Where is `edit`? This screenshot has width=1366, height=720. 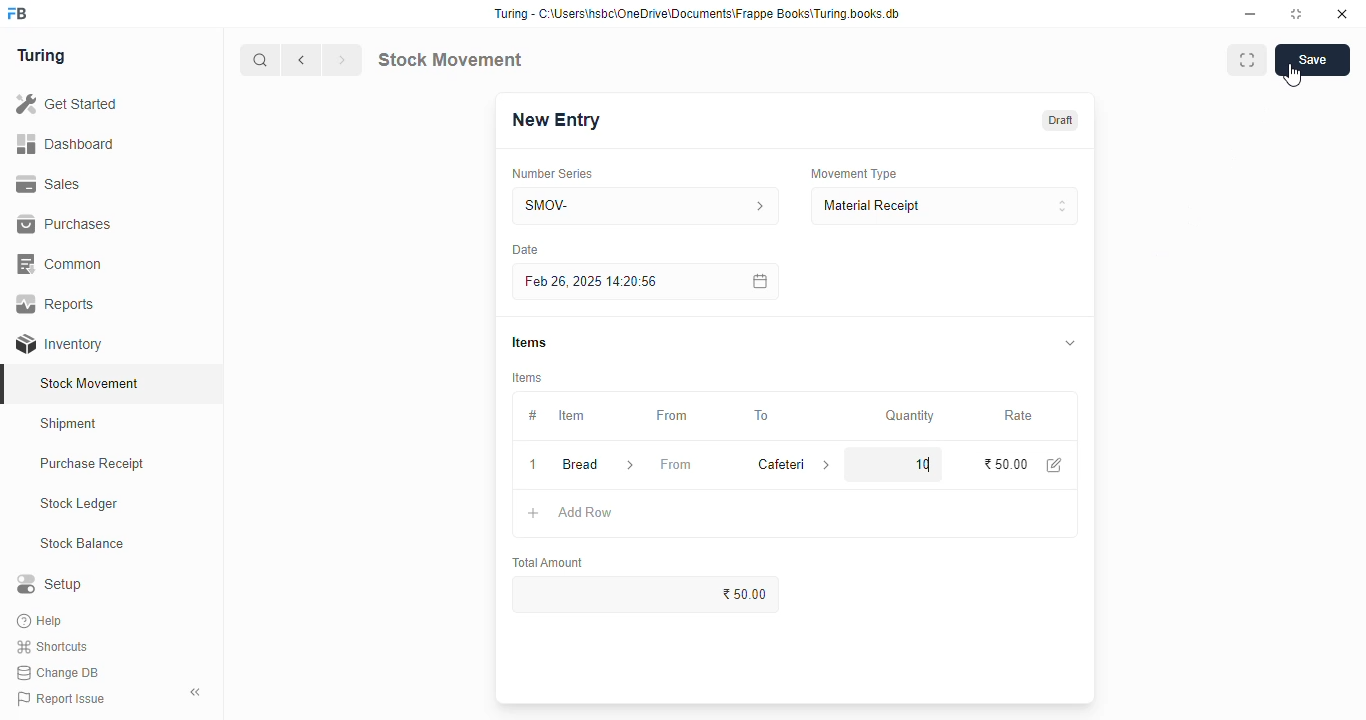
edit is located at coordinates (1055, 465).